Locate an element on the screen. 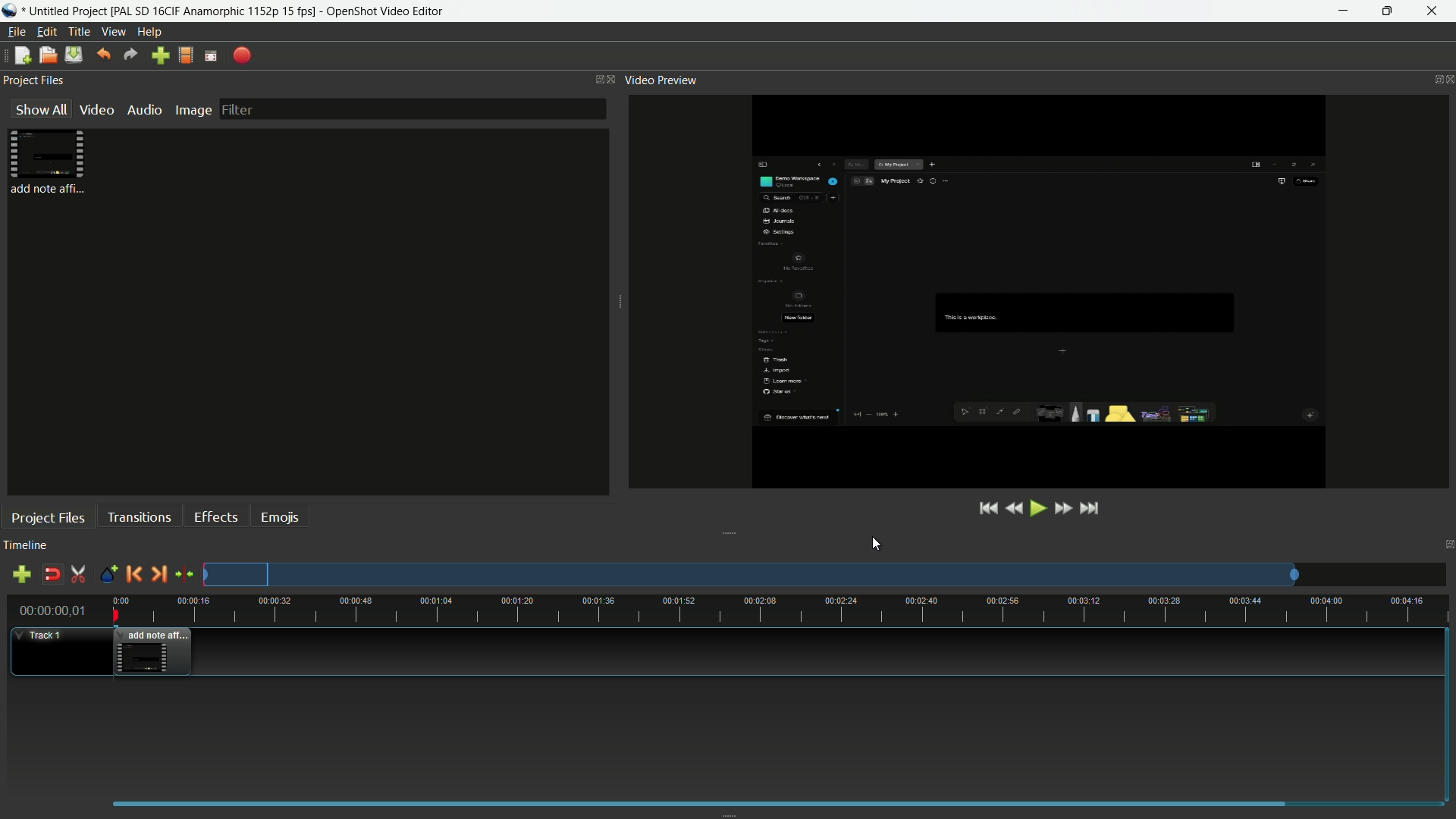  show all is located at coordinates (38, 109).